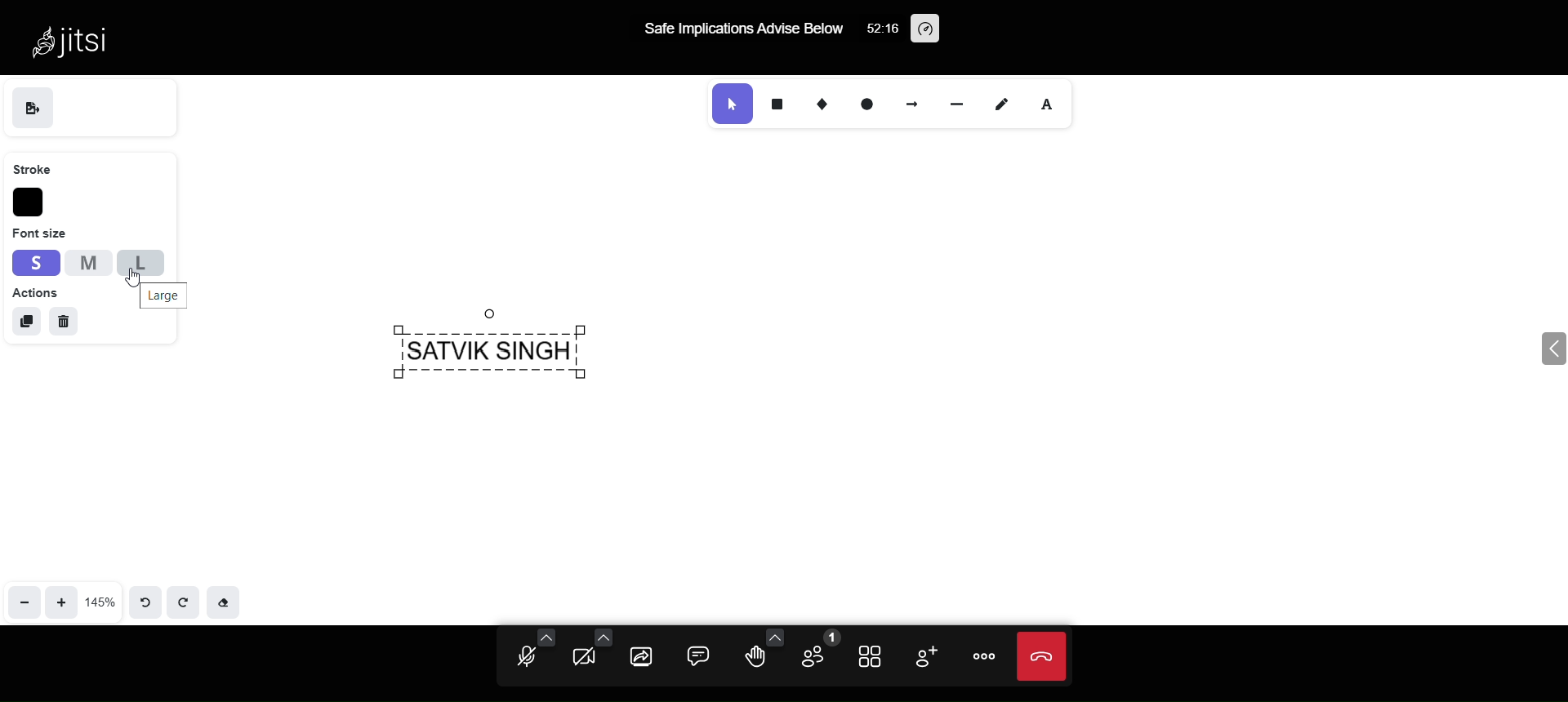 The width and height of the screenshot is (1568, 702). Describe the element at coordinates (38, 170) in the screenshot. I see `stroke` at that location.